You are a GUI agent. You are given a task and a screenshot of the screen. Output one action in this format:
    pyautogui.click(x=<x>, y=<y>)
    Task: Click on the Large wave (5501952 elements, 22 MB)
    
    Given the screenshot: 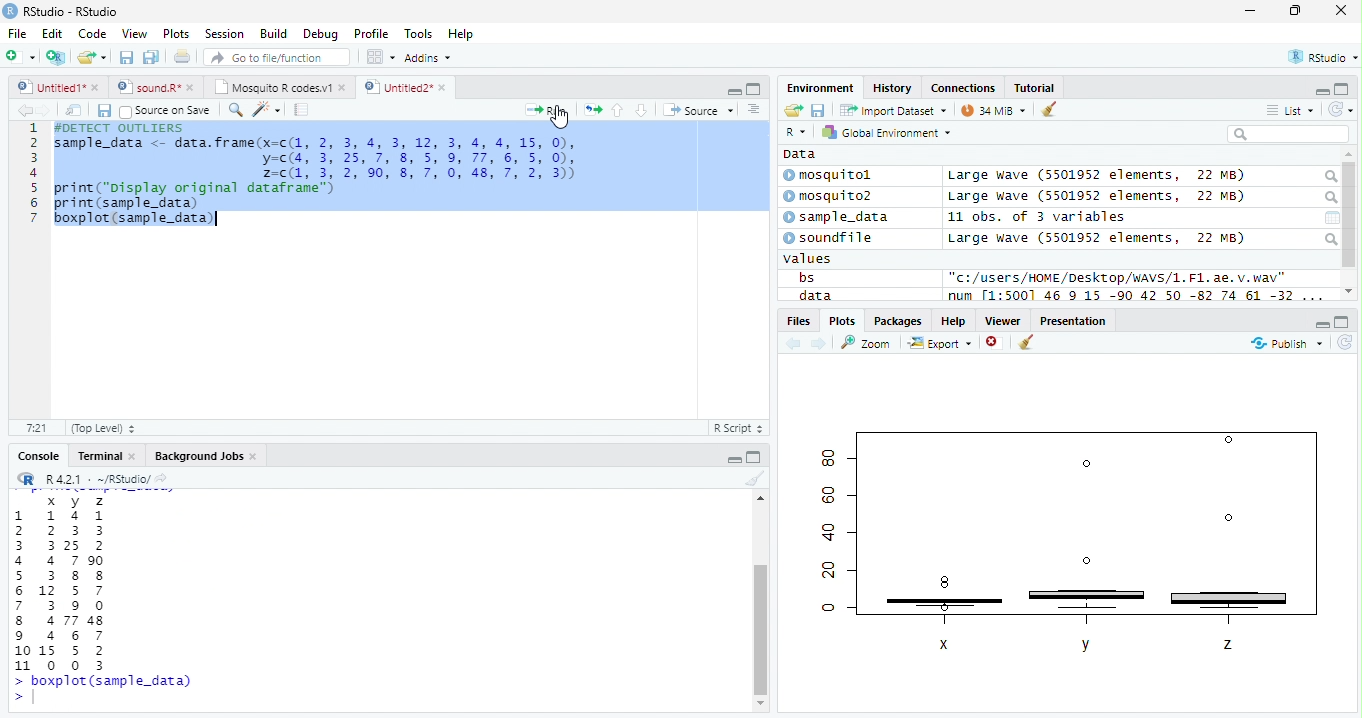 What is the action you would take?
    pyautogui.click(x=1096, y=238)
    